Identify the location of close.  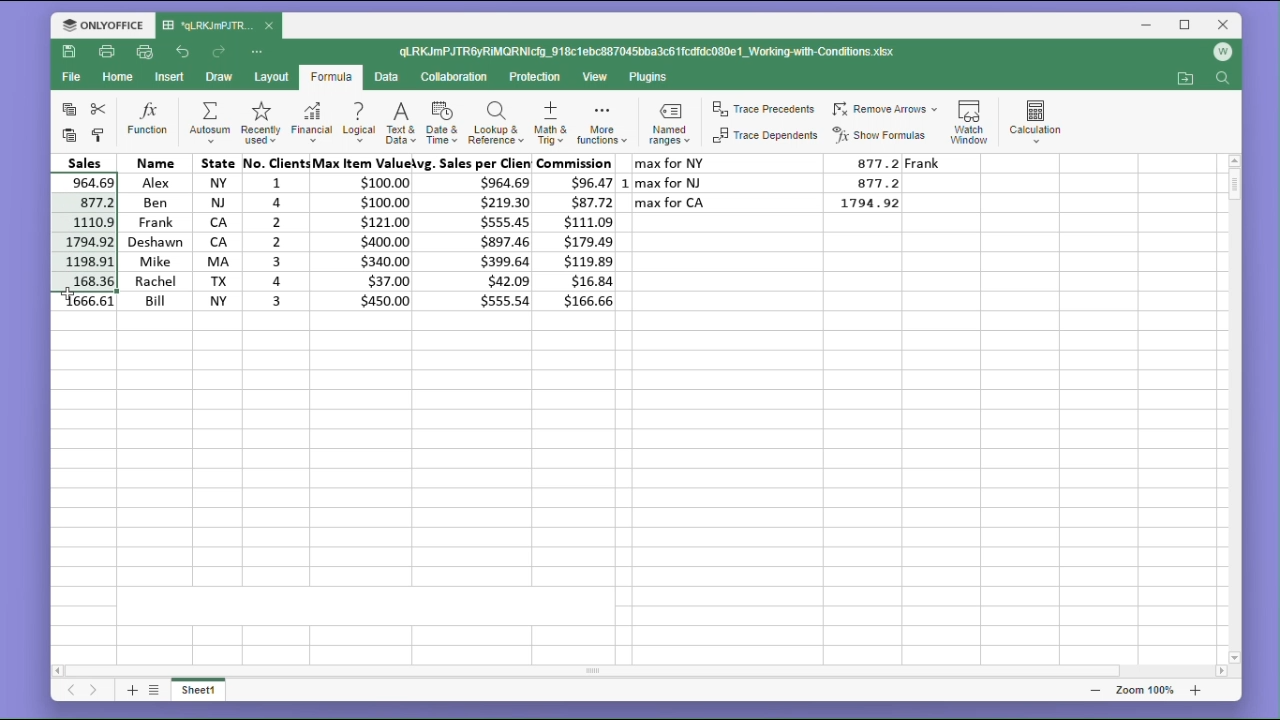
(270, 27).